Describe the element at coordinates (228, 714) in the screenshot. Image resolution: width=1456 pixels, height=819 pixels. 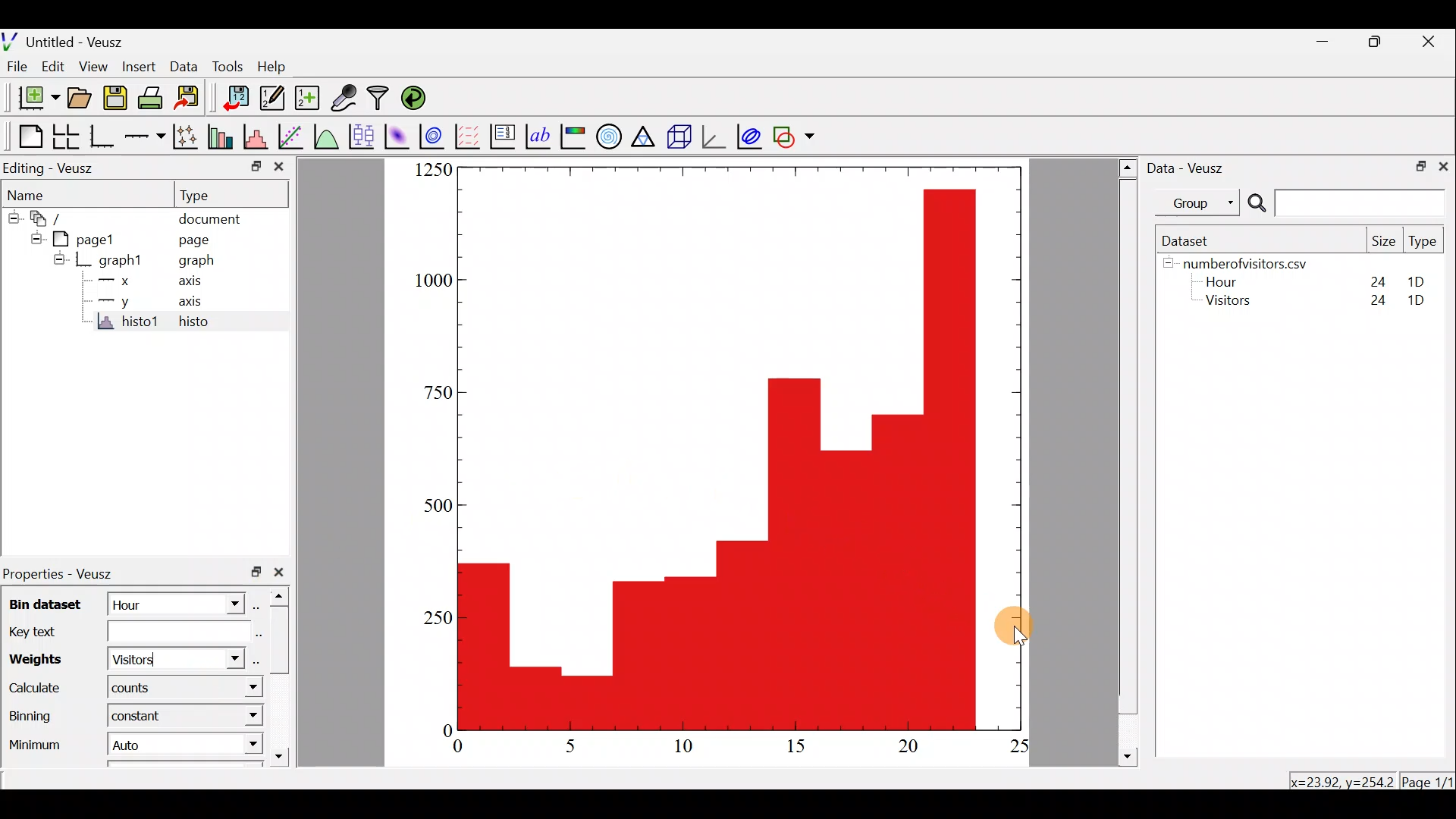
I see `Binning dropdown` at that location.